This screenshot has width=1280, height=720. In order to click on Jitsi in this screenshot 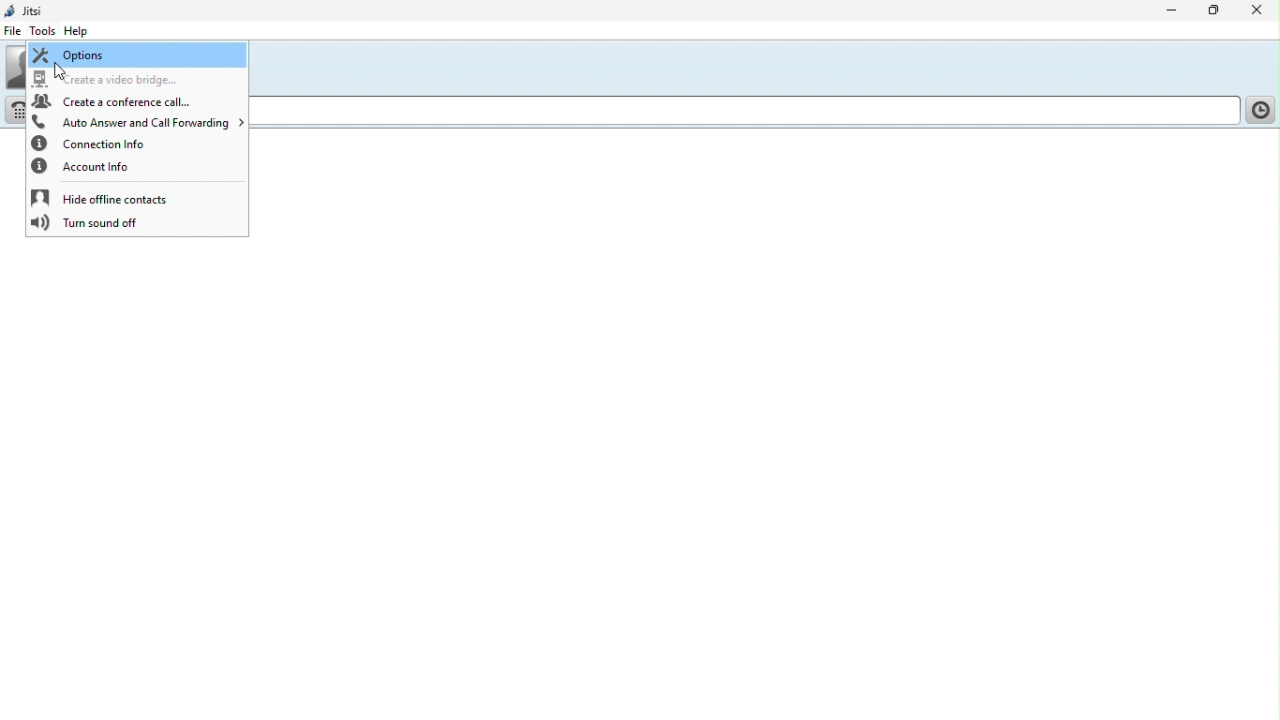, I will do `click(26, 9)`.